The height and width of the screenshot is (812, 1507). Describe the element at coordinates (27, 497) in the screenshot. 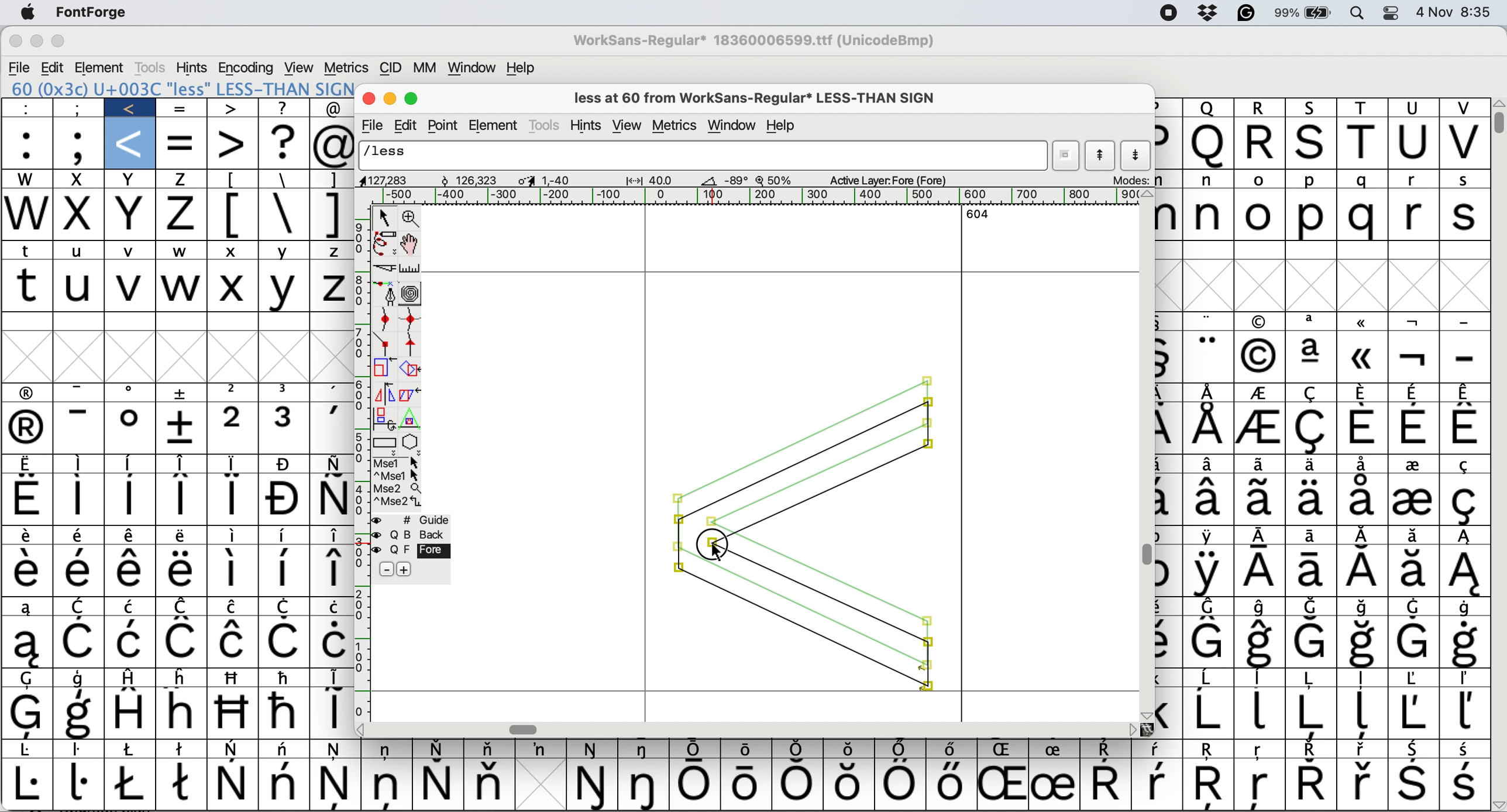

I see `Symbol` at that location.